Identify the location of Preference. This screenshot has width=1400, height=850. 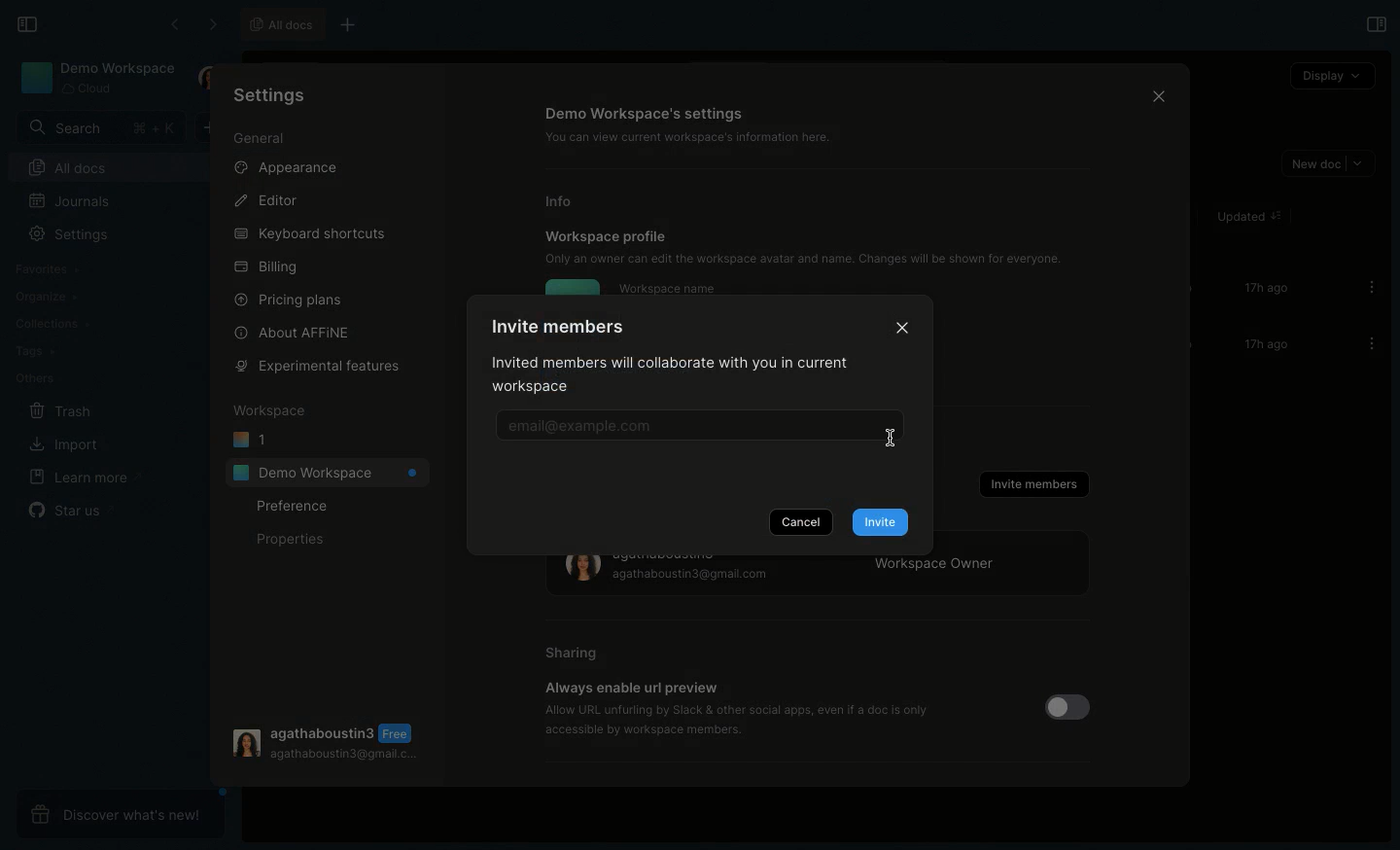
(295, 507).